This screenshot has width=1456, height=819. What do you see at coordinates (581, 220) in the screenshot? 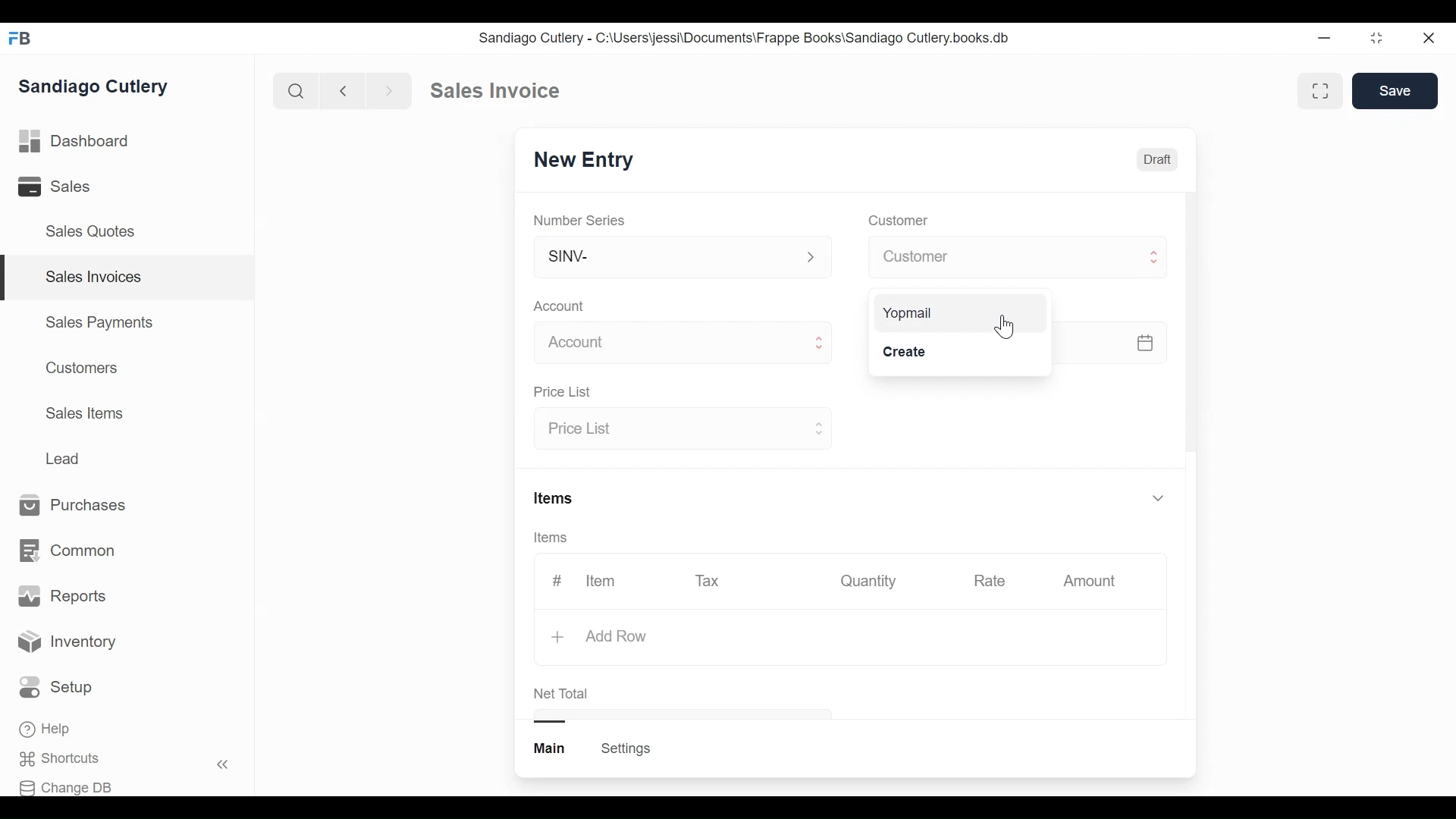
I see `Number Series` at bounding box center [581, 220].